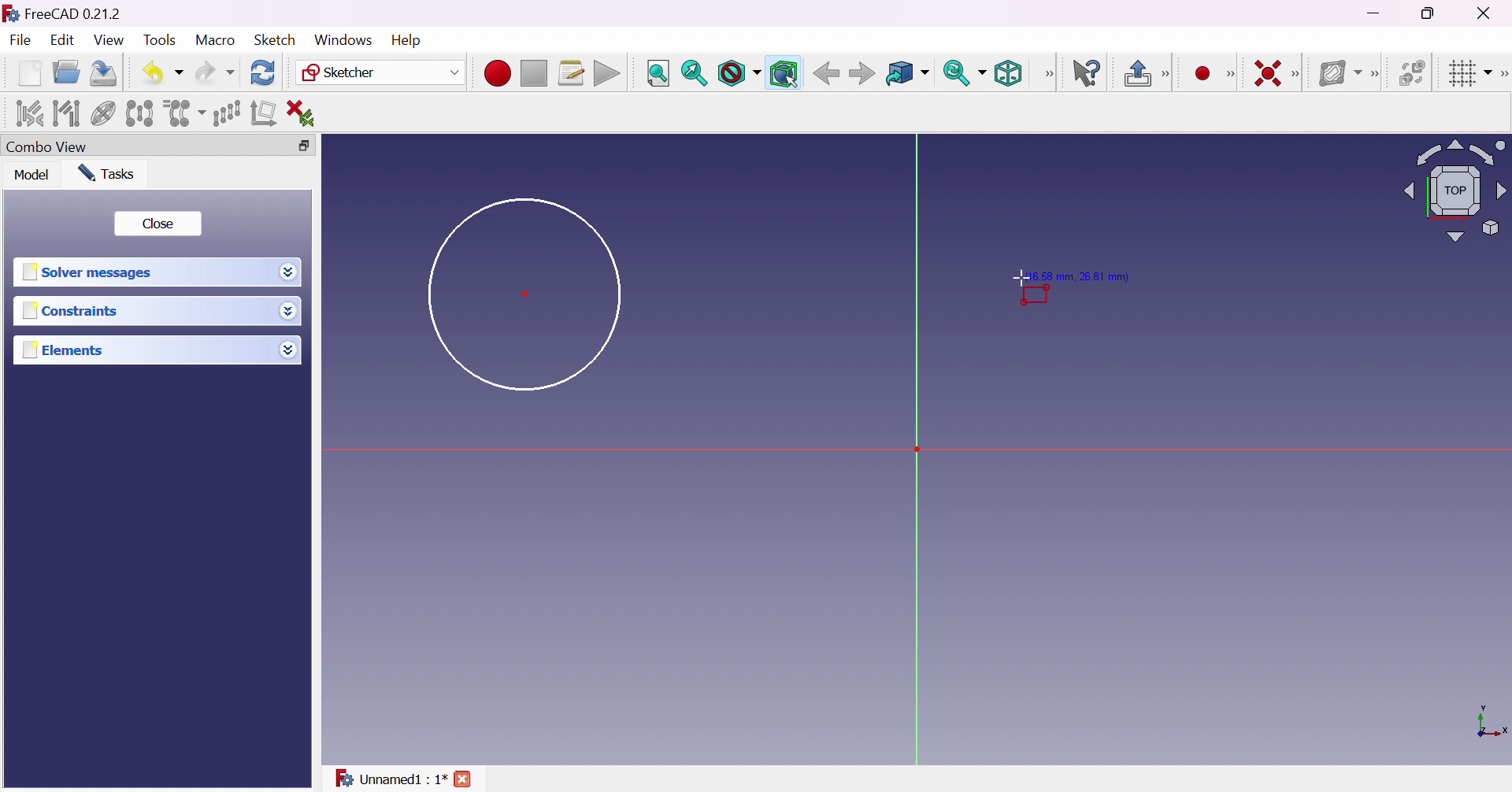 This screenshot has width=1512, height=792. What do you see at coordinates (465, 779) in the screenshot?
I see `close` at bounding box center [465, 779].